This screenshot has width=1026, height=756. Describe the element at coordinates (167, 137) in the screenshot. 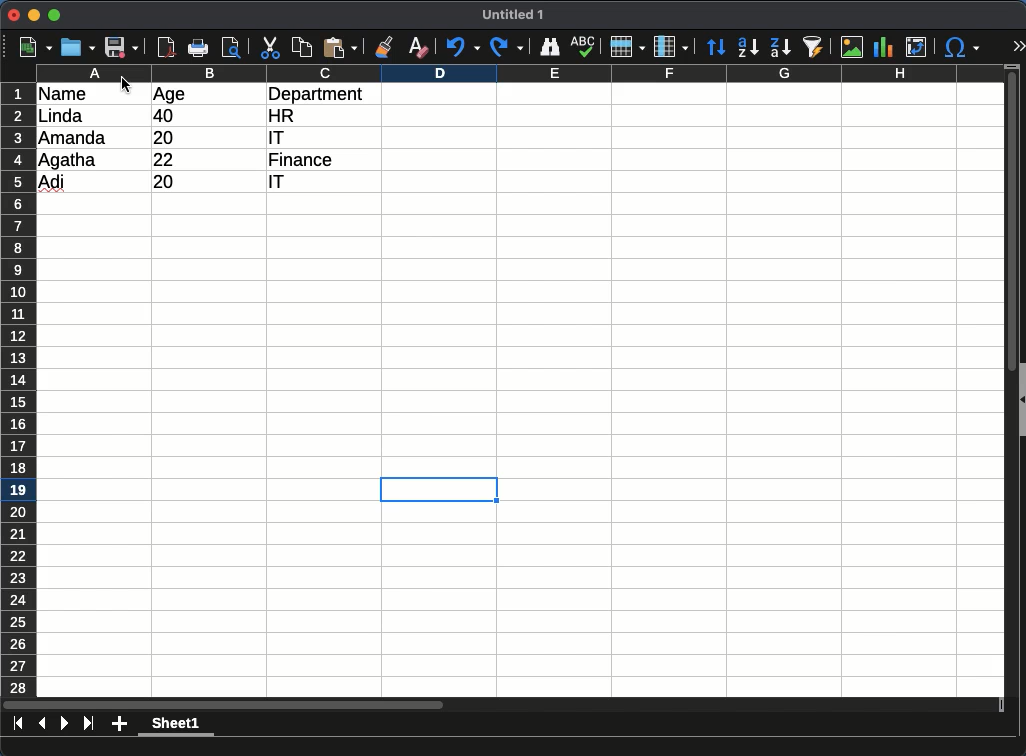

I see `20` at that location.